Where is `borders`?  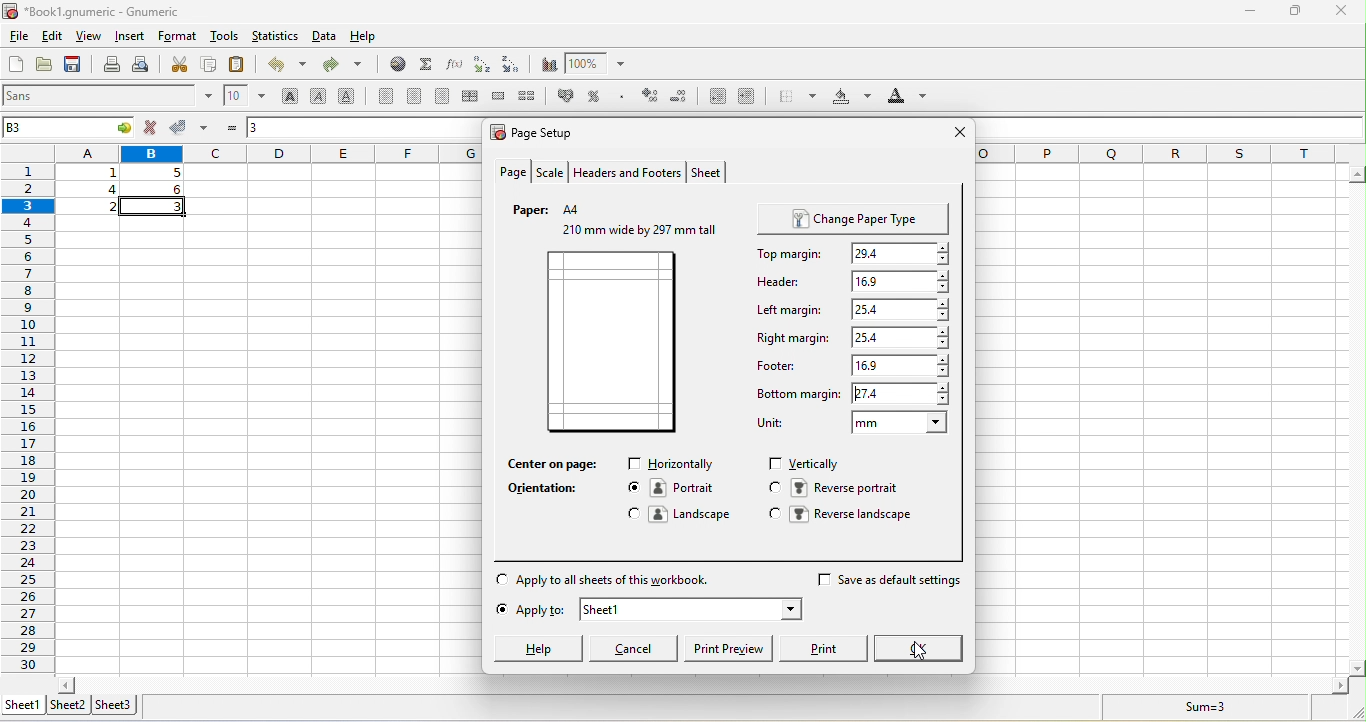 borders is located at coordinates (793, 97).